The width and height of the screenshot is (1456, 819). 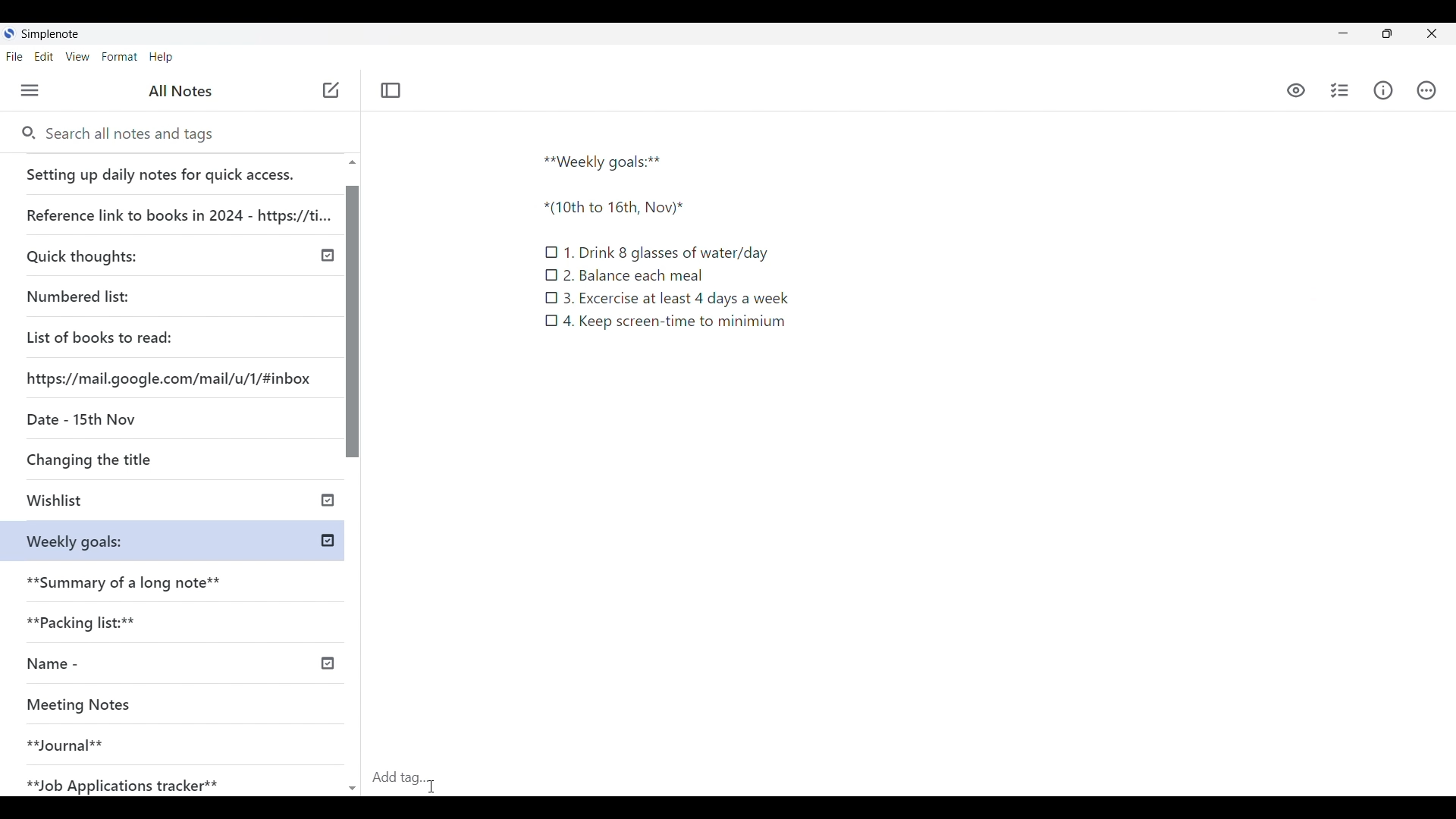 I want to click on published, so click(x=328, y=541).